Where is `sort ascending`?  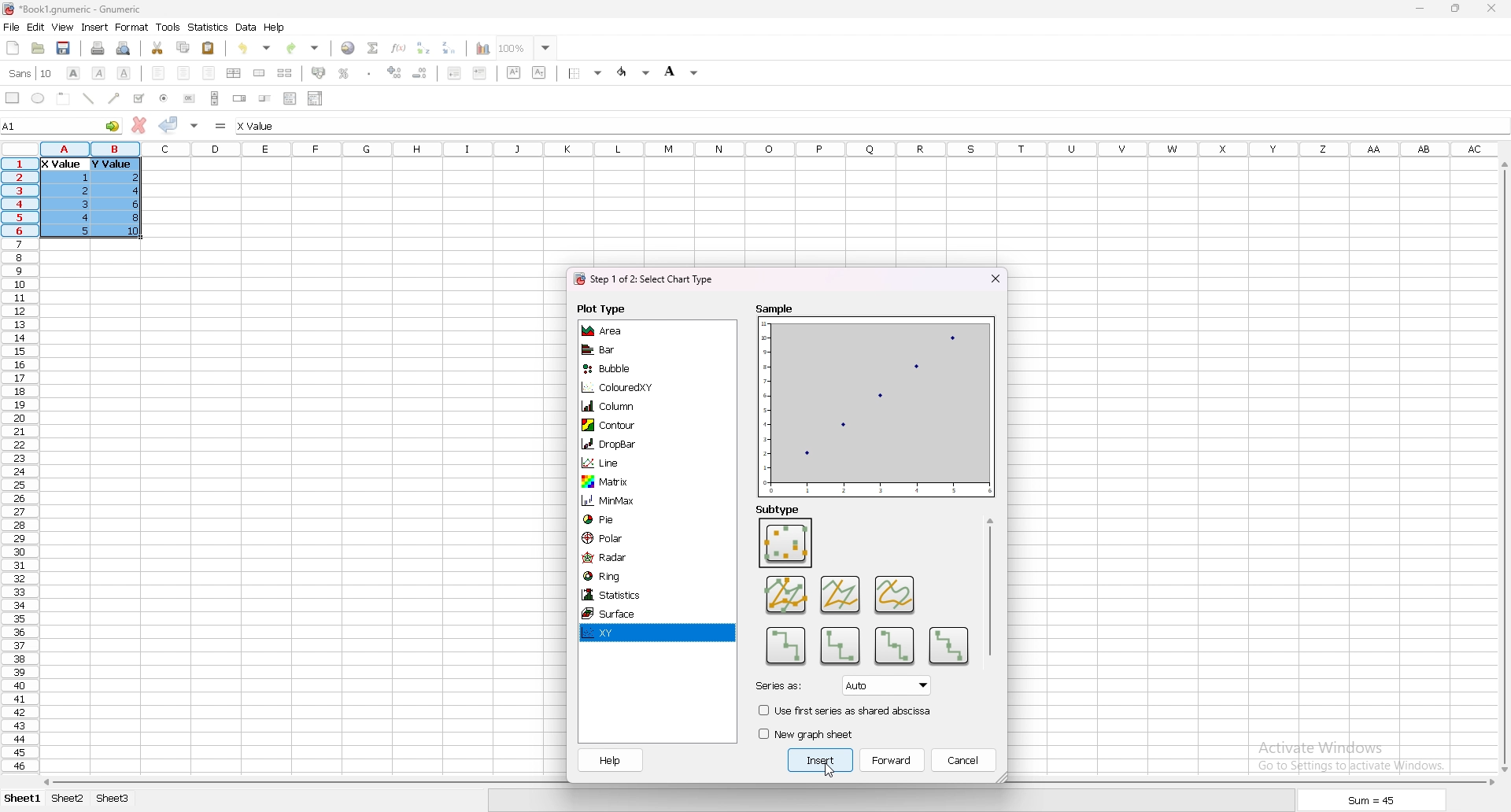
sort ascending is located at coordinates (423, 47).